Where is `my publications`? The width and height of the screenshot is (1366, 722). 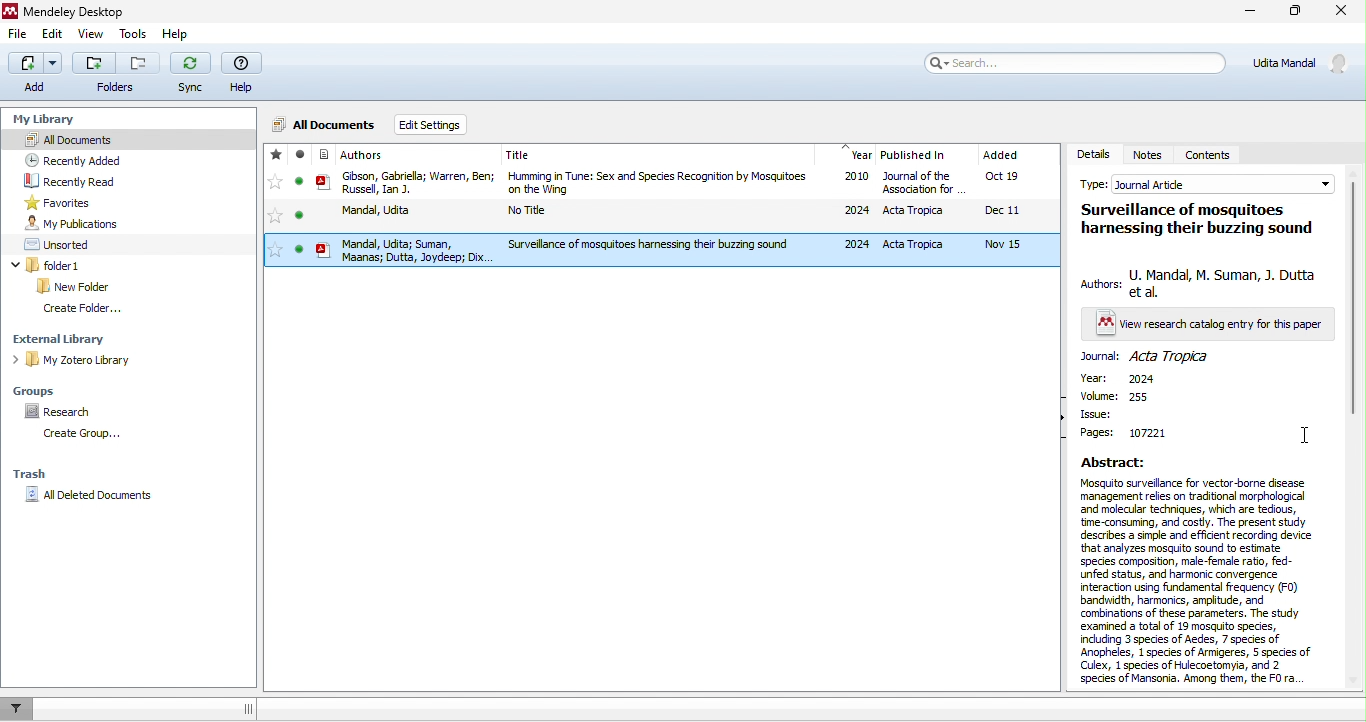
my publications is located at coordinates (78, 223).